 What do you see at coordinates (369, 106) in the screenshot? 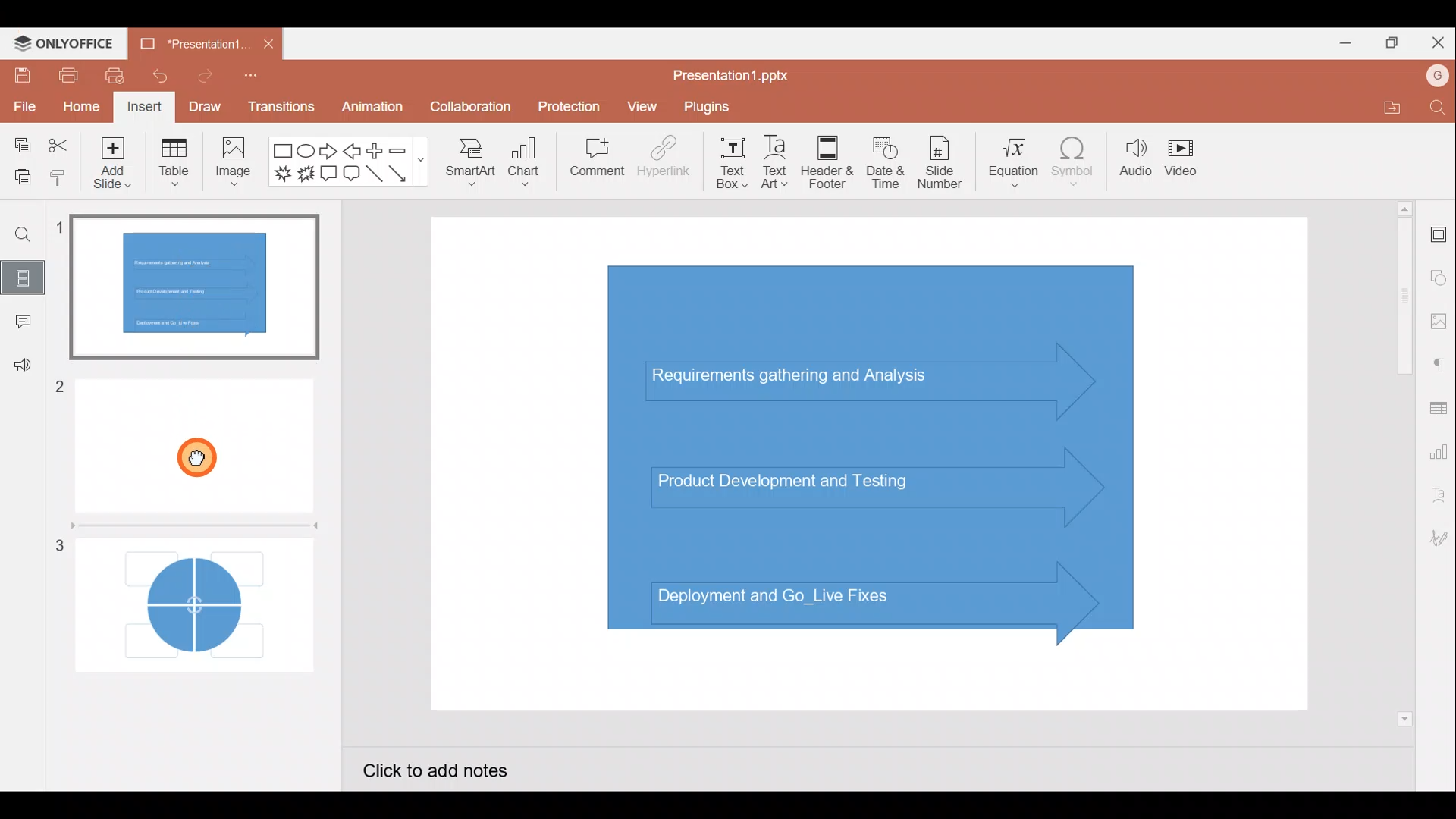
I see `Animation` at bounding box center [369, 106].